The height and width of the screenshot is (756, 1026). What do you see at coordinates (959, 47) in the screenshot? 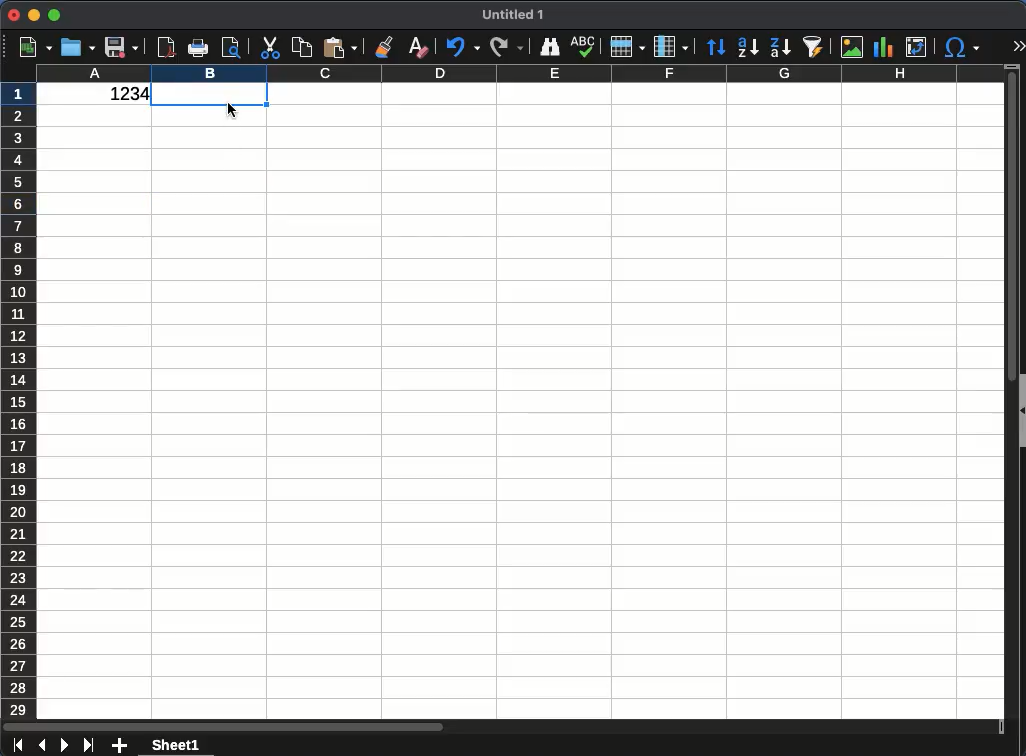
I see `special characters` at bounding box center [959, 47].